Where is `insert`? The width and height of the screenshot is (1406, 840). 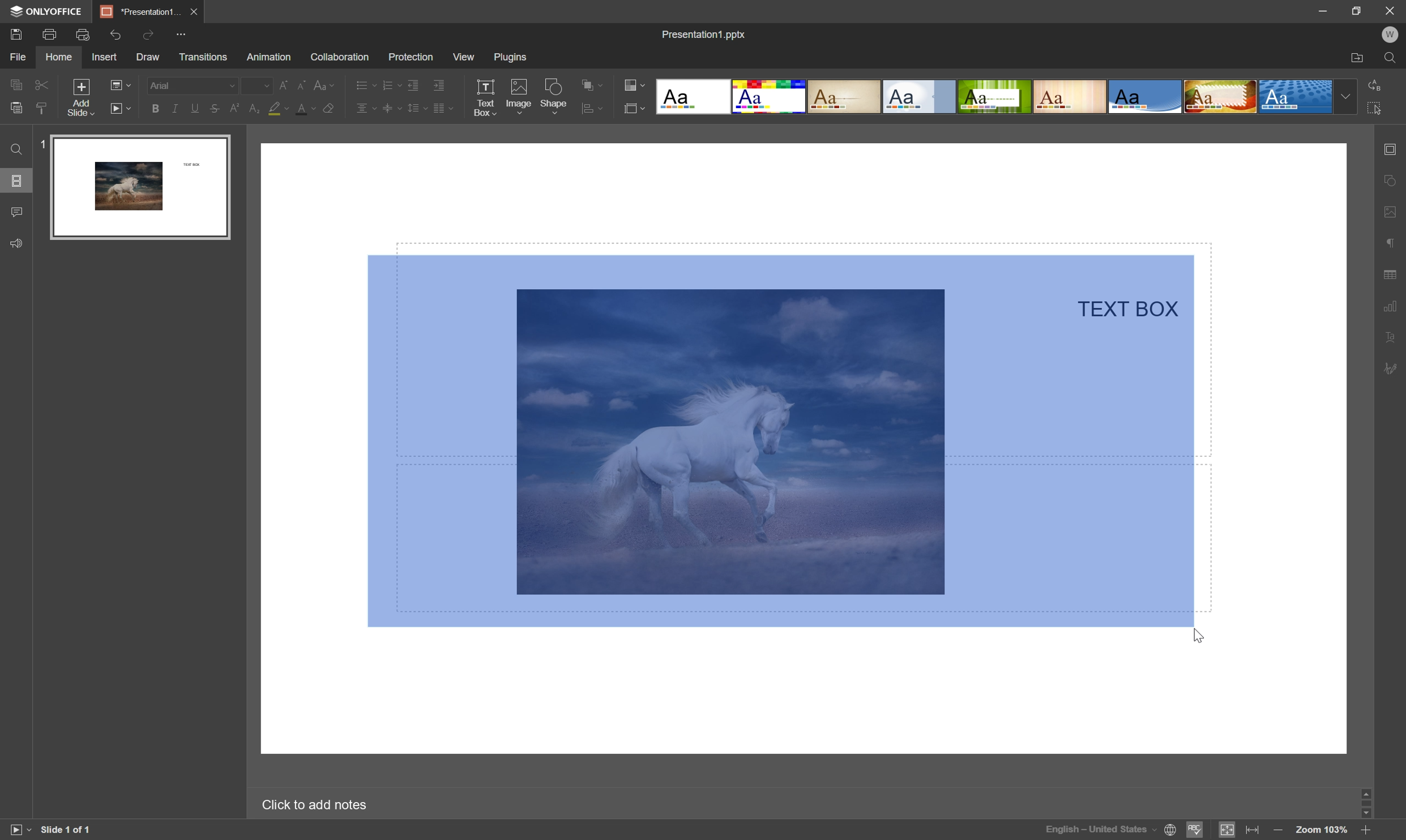 insert is located at coordinates (106, 58).